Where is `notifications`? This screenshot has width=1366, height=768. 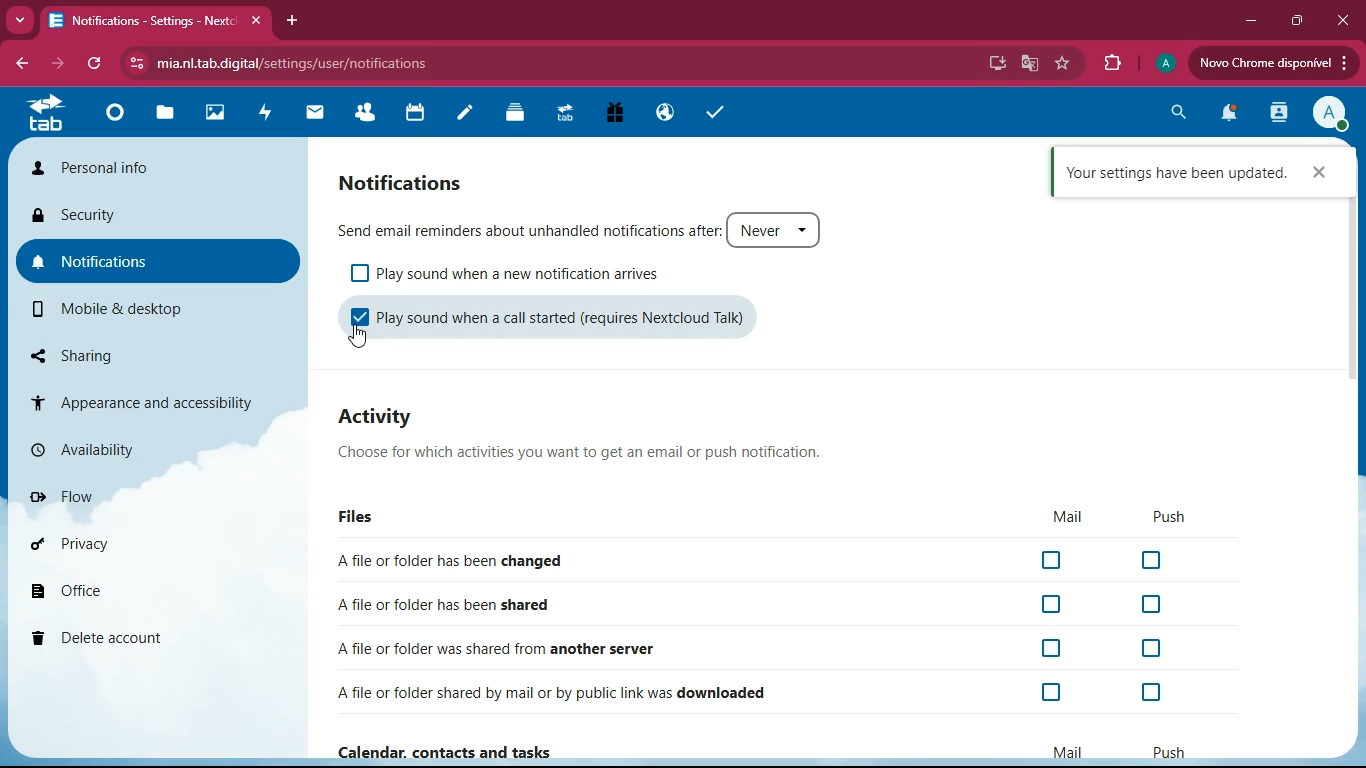
notifications is located at coordinates (1230, 115).